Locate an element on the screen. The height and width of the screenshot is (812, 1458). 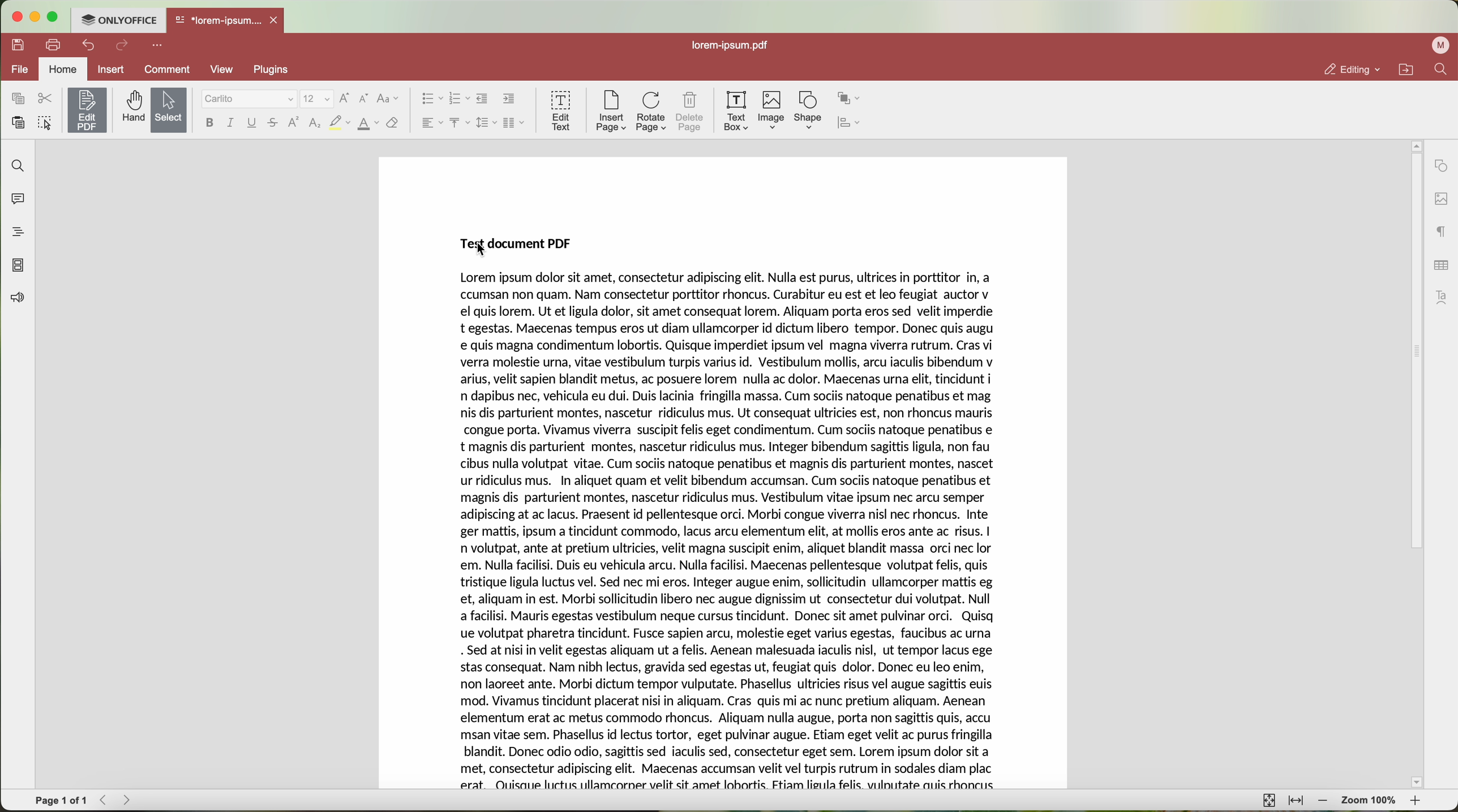
font color is located at coordinates (368, 124).